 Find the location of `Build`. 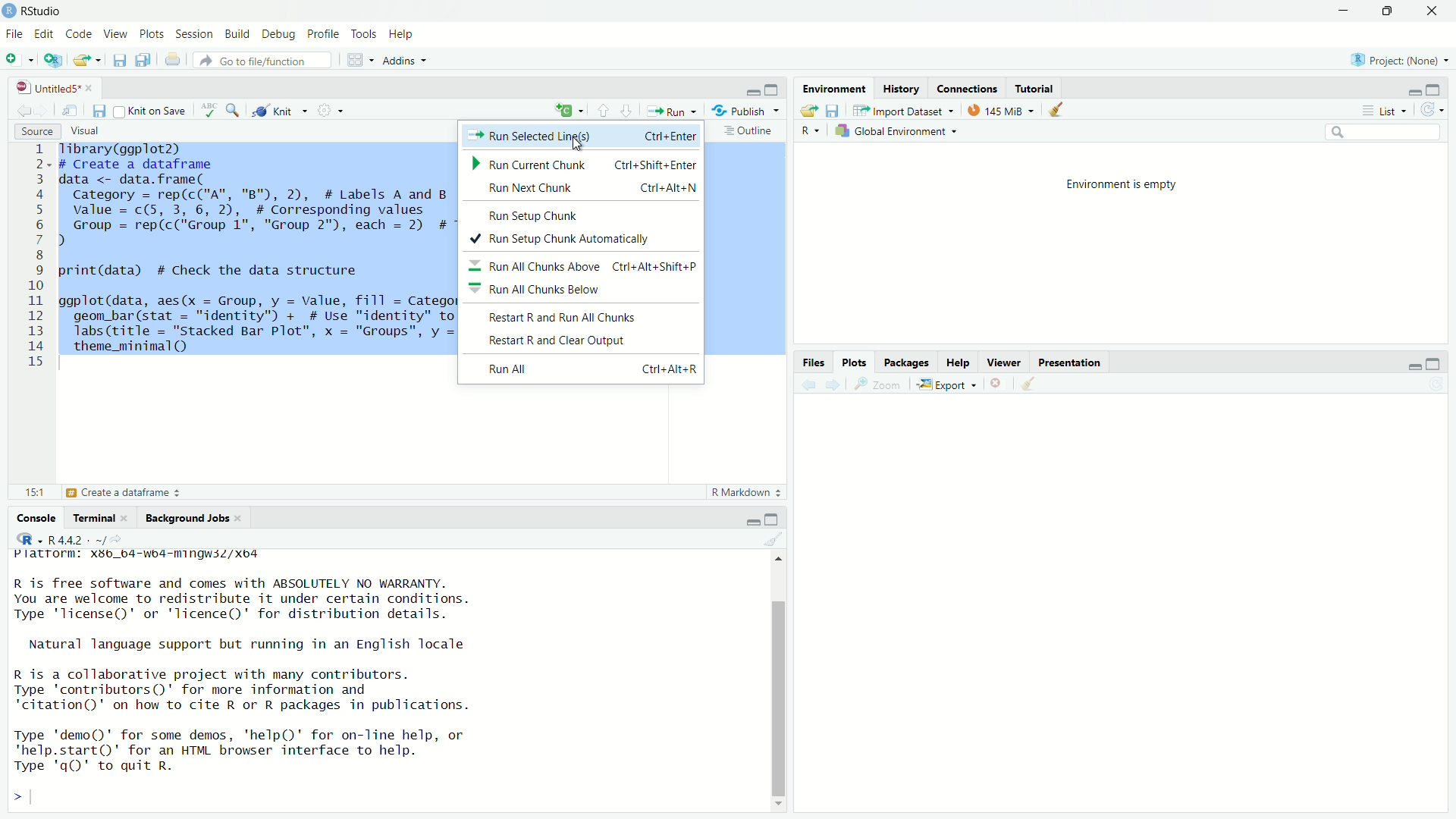

Build is located at coordinates (237, 33).